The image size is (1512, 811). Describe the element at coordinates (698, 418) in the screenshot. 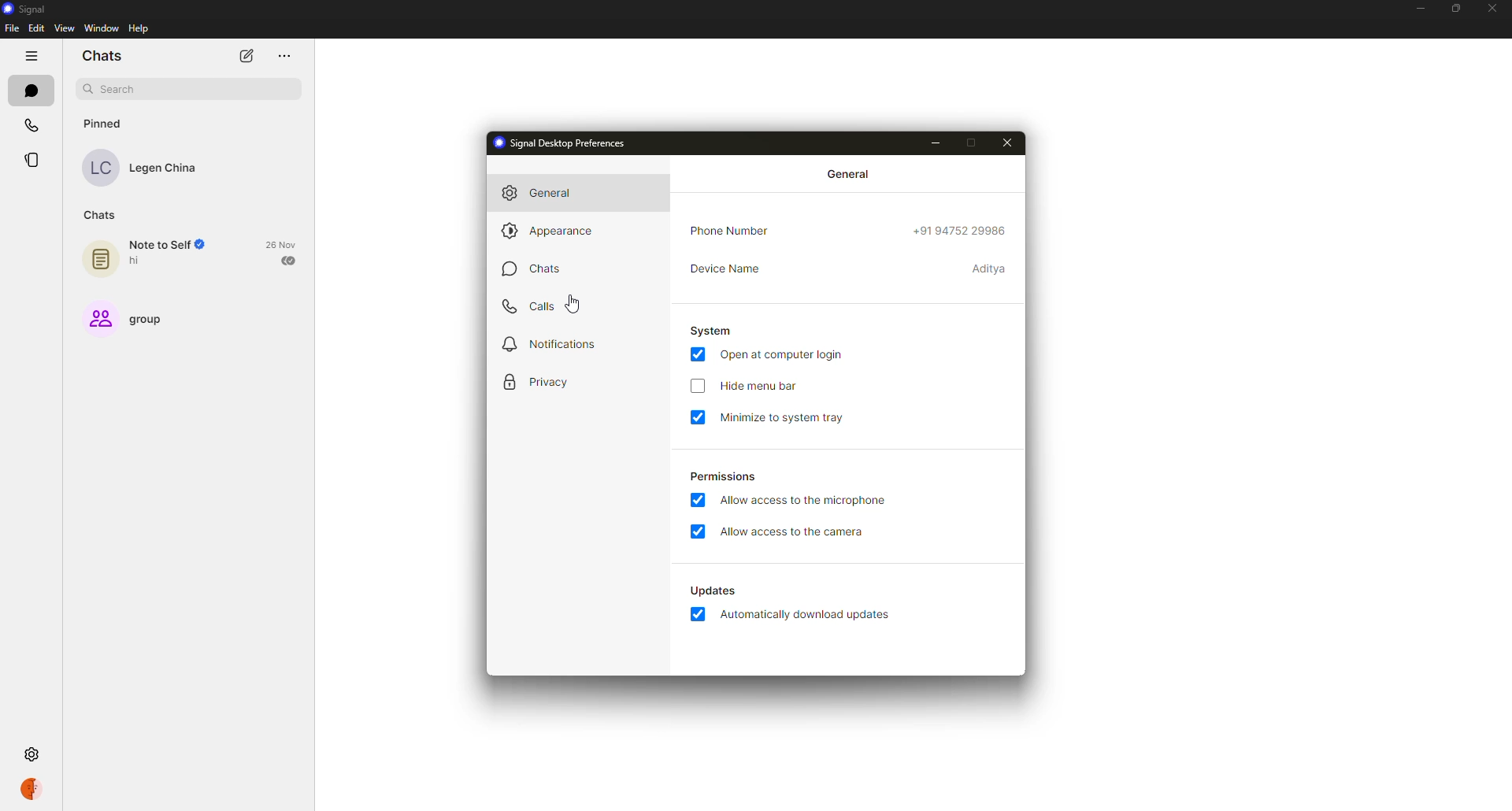

I see `enabled` at that location.